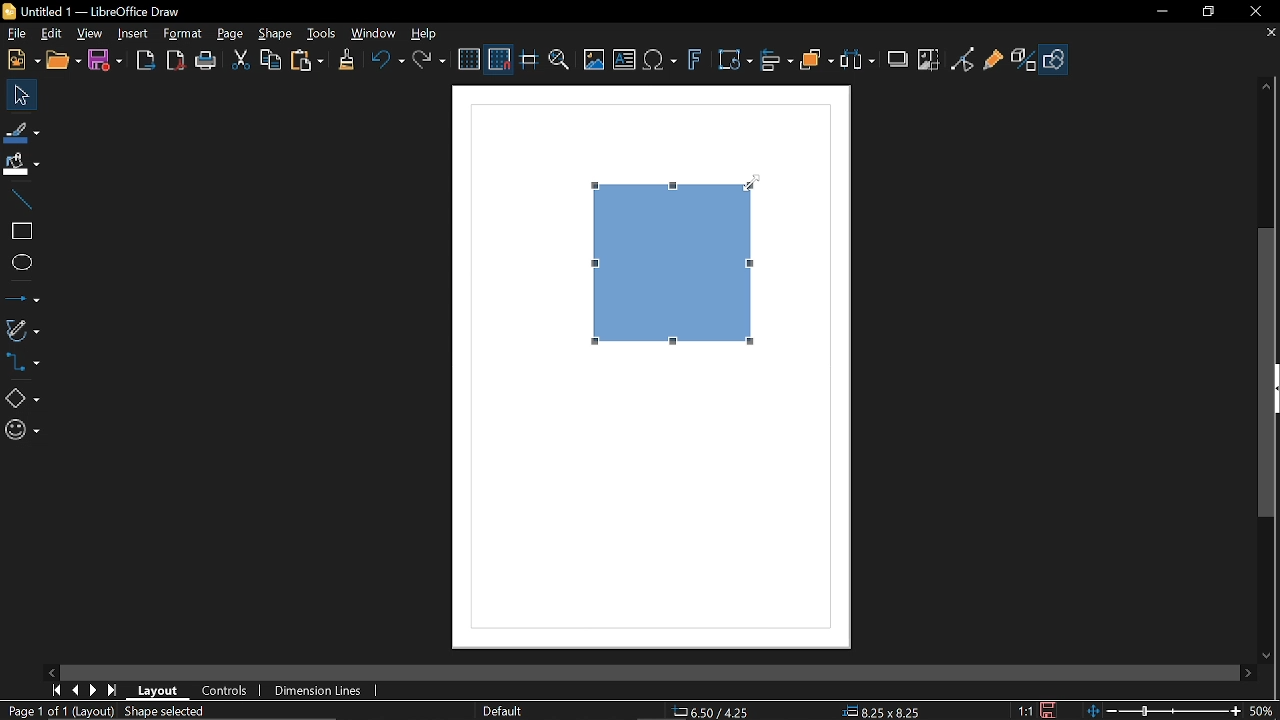  I want to click on Open, so click(63, 62).